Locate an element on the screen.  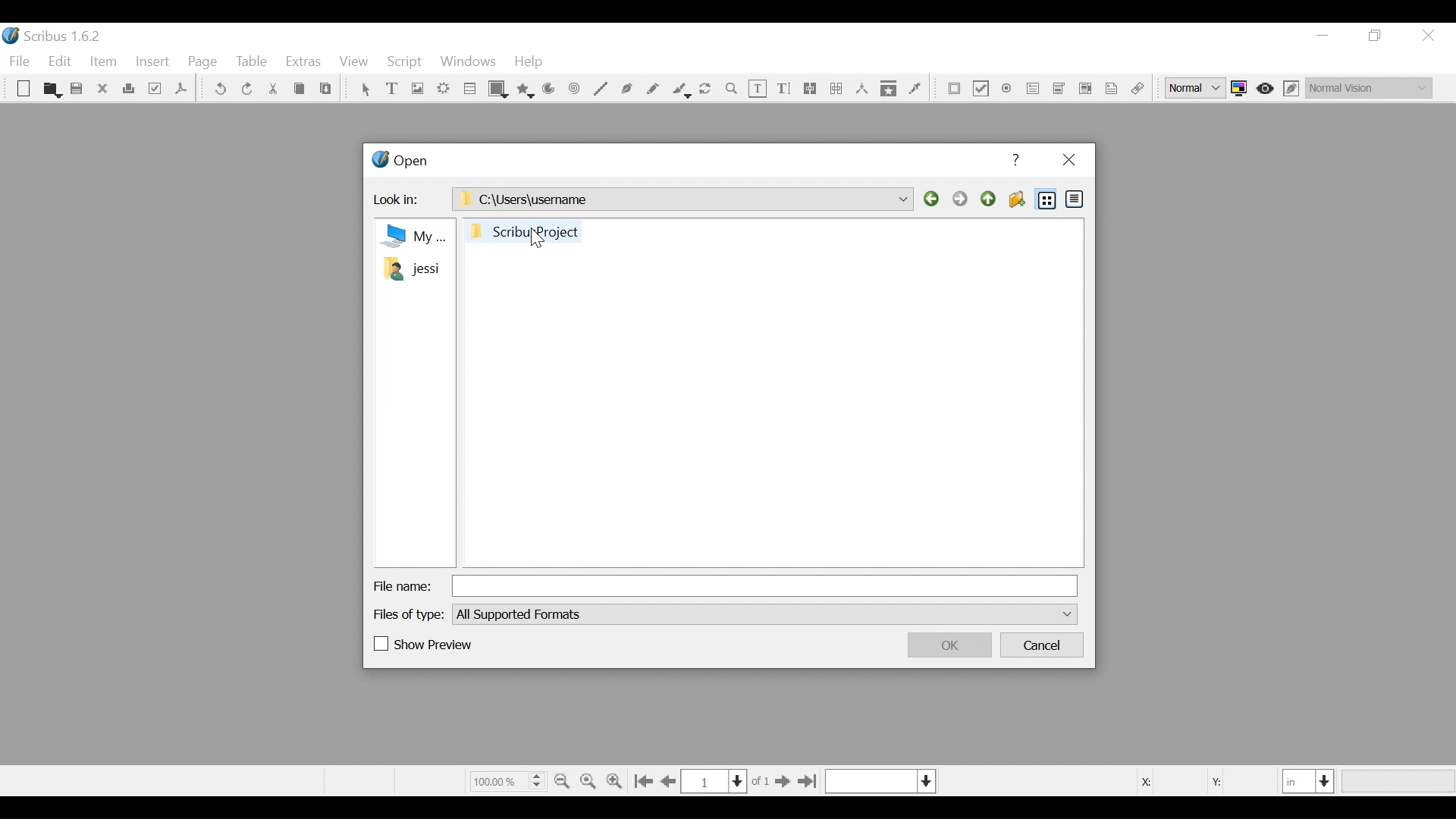
undo is located at coordinates (221, 89).